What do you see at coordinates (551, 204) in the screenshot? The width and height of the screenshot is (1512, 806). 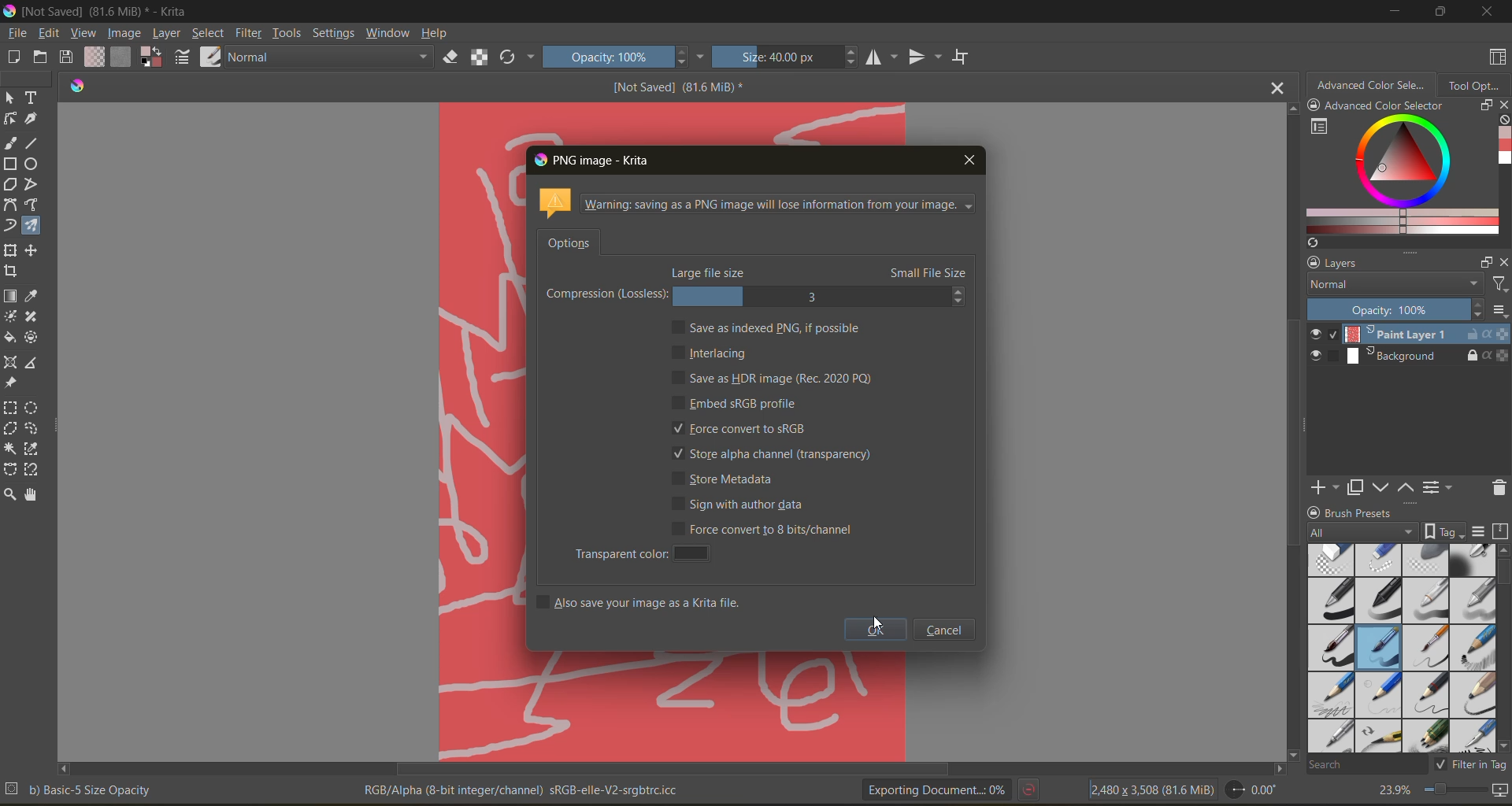 I see `icon` at bounding box center [551, 204].